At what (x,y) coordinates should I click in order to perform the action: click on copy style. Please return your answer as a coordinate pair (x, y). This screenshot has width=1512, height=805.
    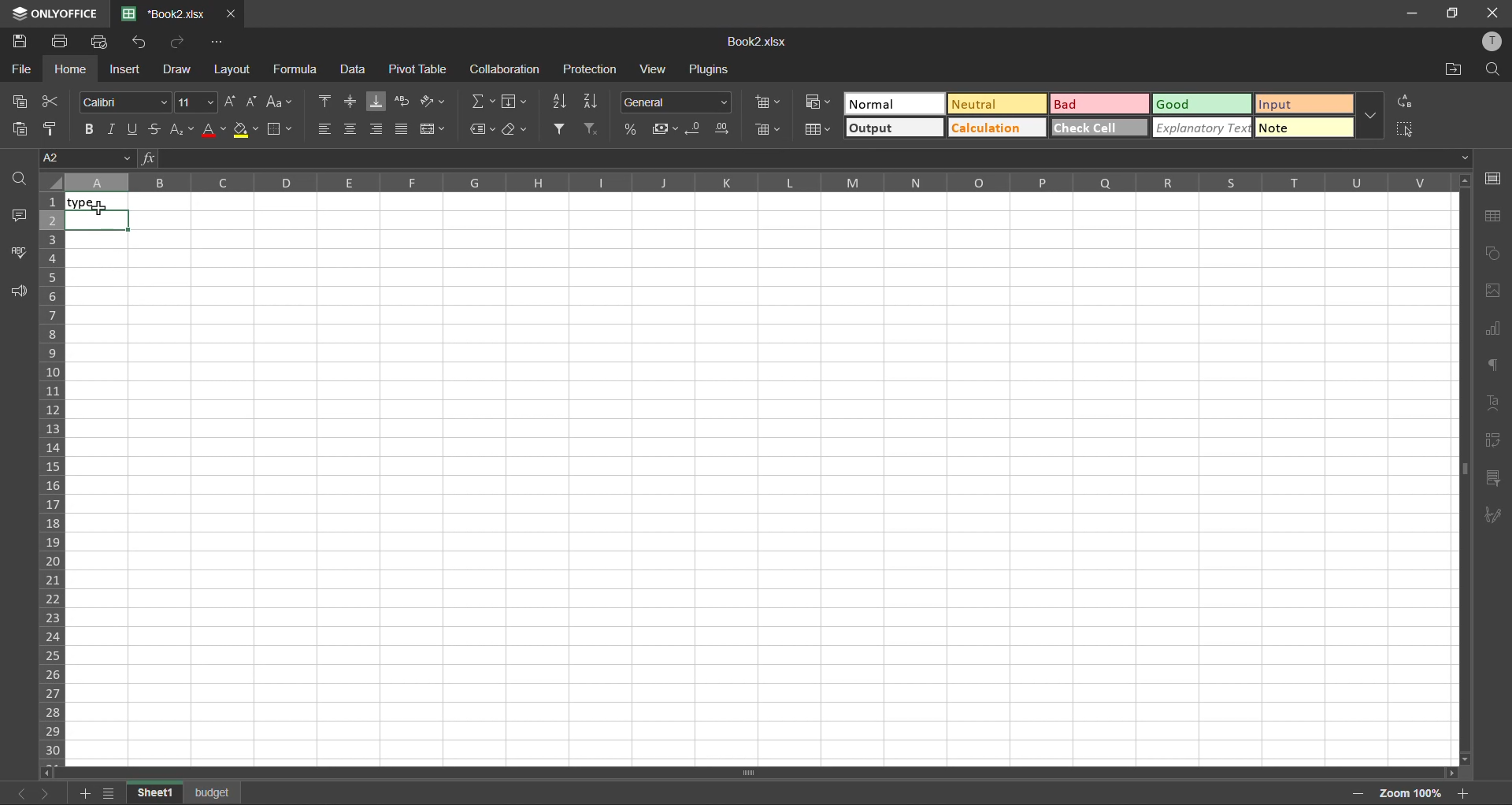
    Looking at the image, I should click on (50, 128).